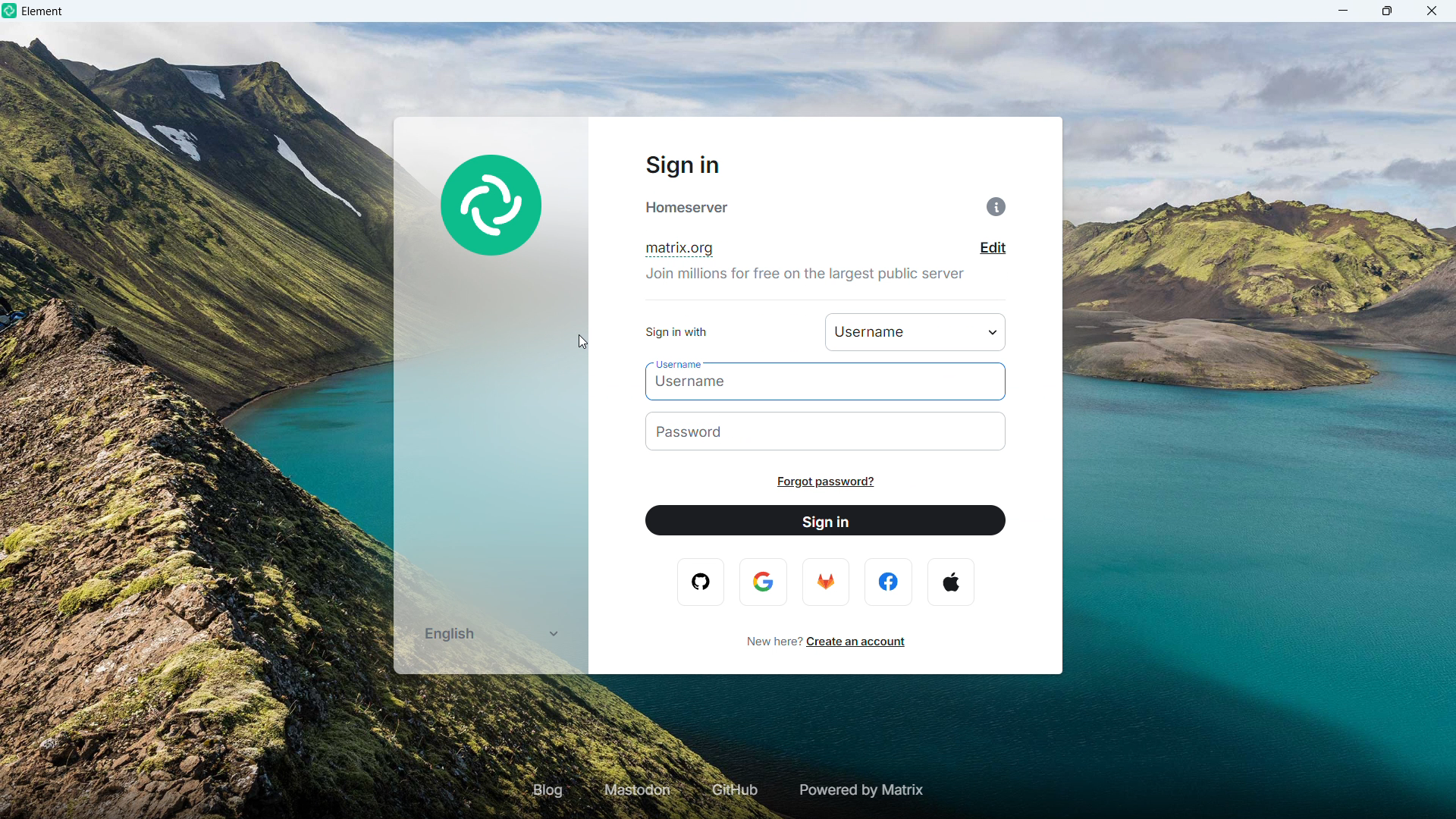 Image resolution: width=1456 pixels, height=819 pixels. Describe the element at coordinates (825, 482) in the screenshot. I see `Forgot password ` at that location.